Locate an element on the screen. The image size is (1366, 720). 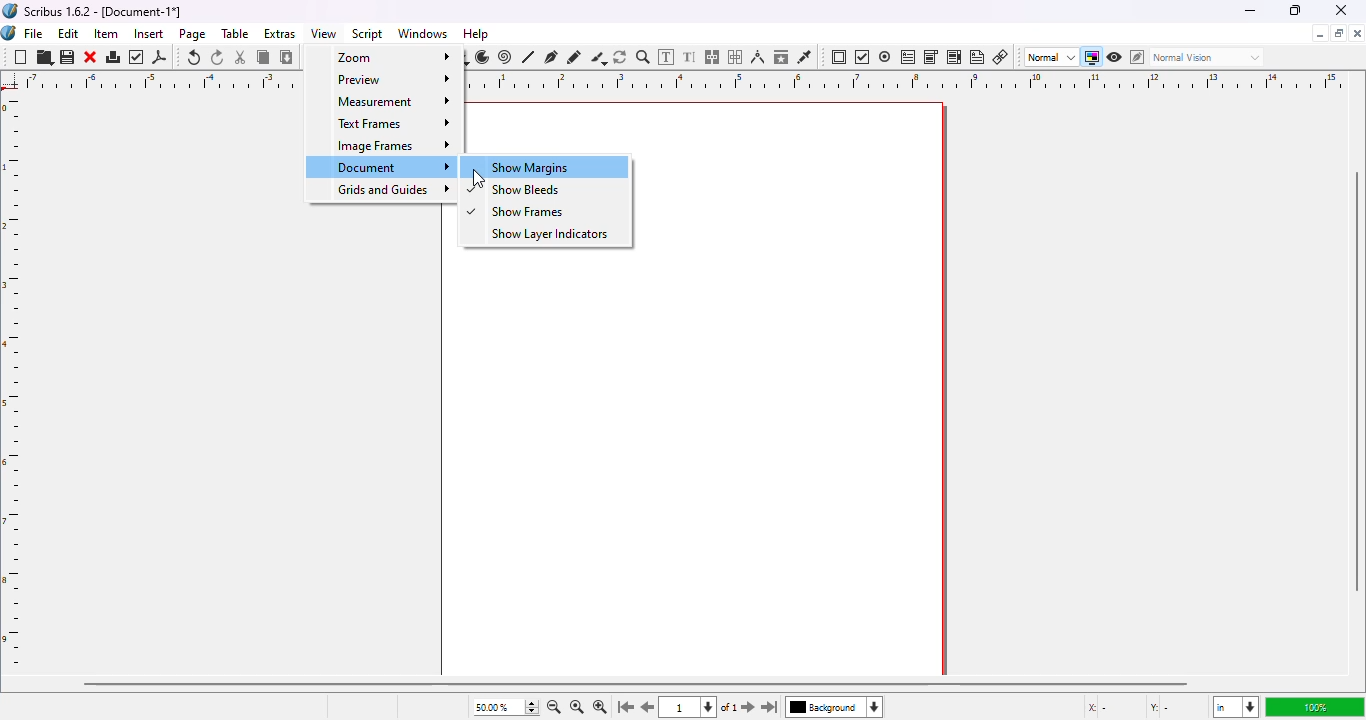
close is located at coordinates (91, 57).